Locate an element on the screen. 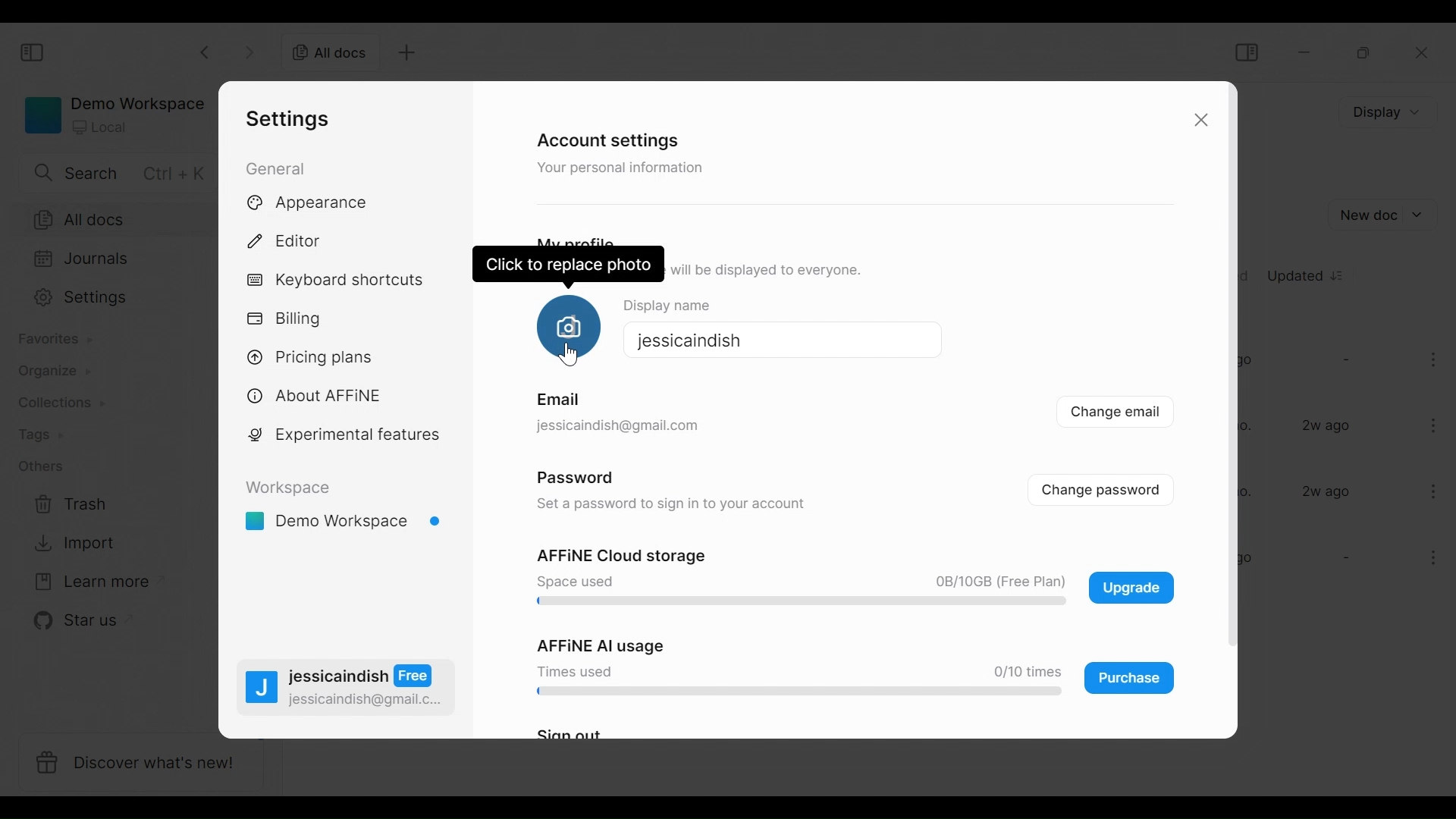 Image resolution: width=1456 pixels, height=819 pixels. Keyboard shortcuts is located at coordinates (336, 281).